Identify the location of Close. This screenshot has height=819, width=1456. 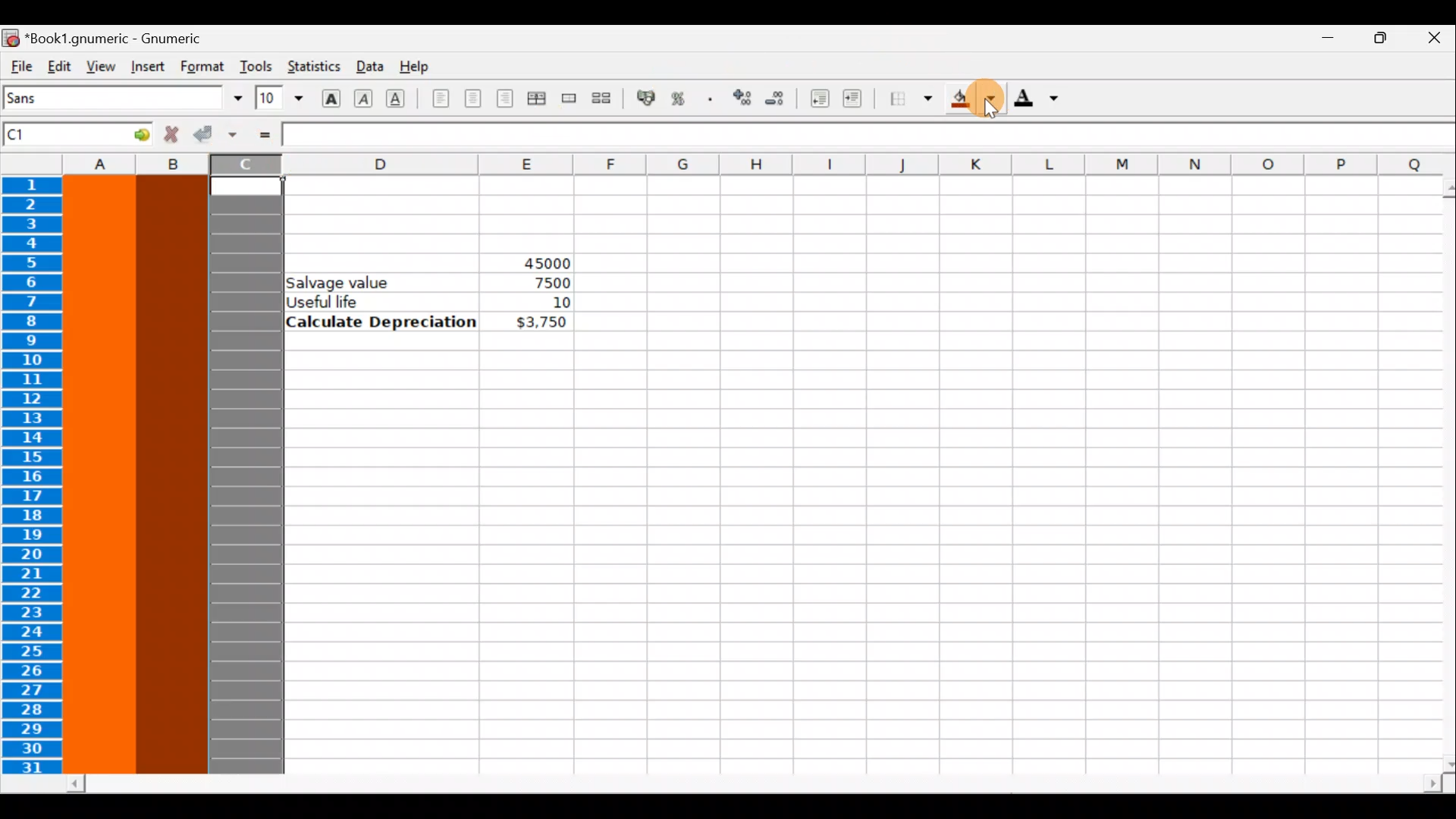
(1433, 40).